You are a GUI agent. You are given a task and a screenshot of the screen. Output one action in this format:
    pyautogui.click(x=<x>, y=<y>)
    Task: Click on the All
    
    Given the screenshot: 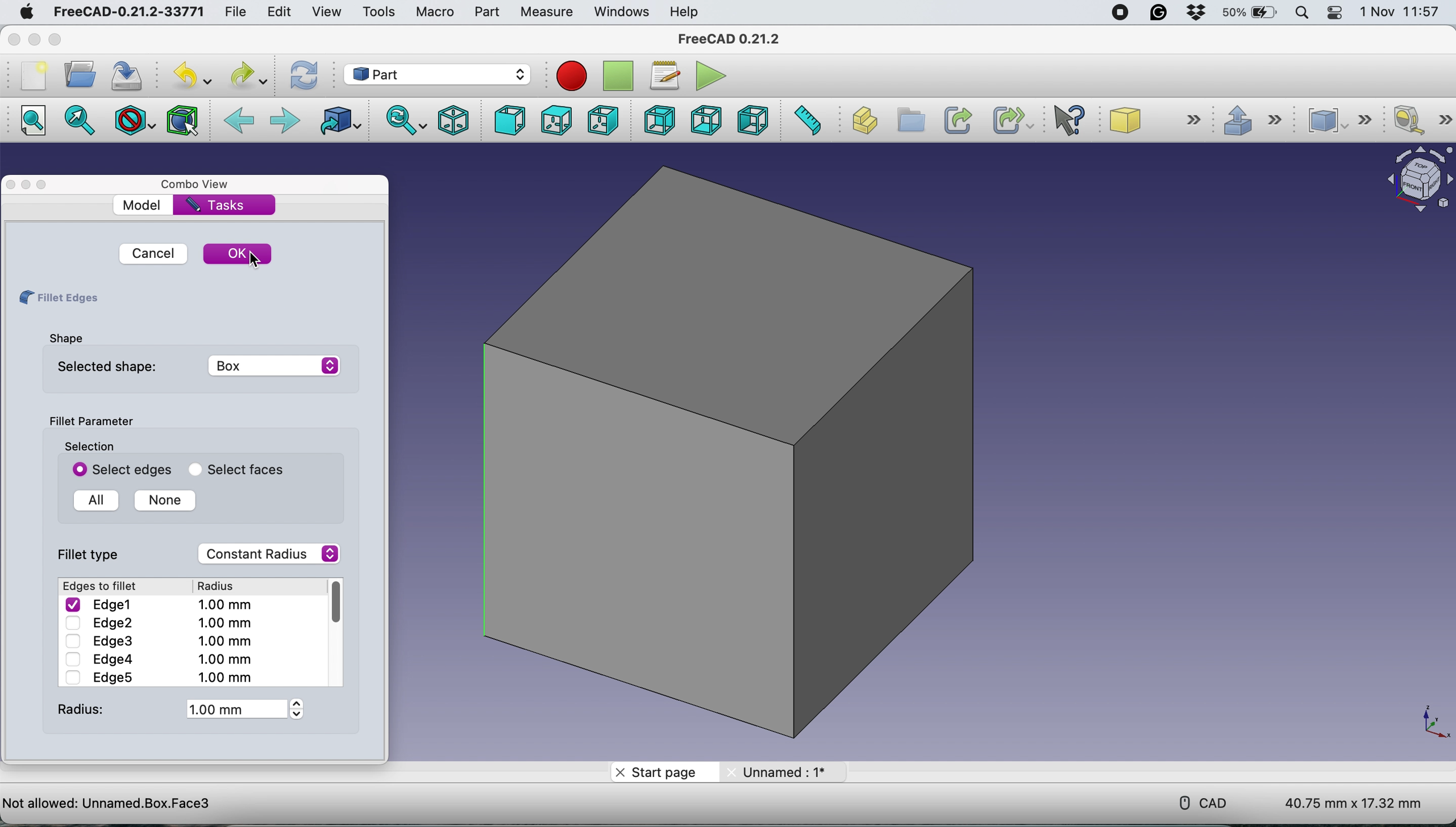 What is the action you would take?
    pyautogui.click(x=92, y=501)
    